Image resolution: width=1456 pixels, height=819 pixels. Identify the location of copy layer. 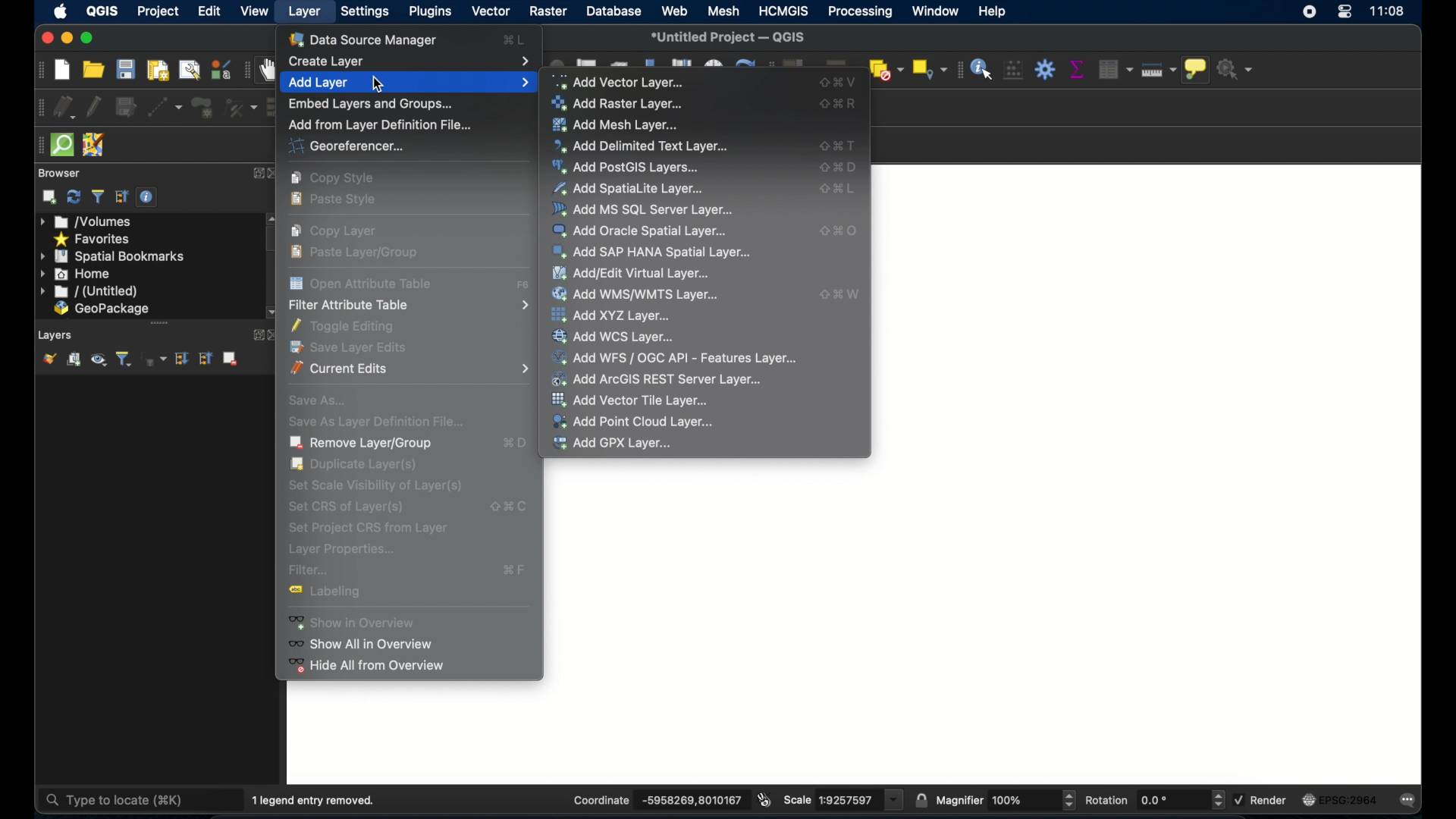
(339, 231).